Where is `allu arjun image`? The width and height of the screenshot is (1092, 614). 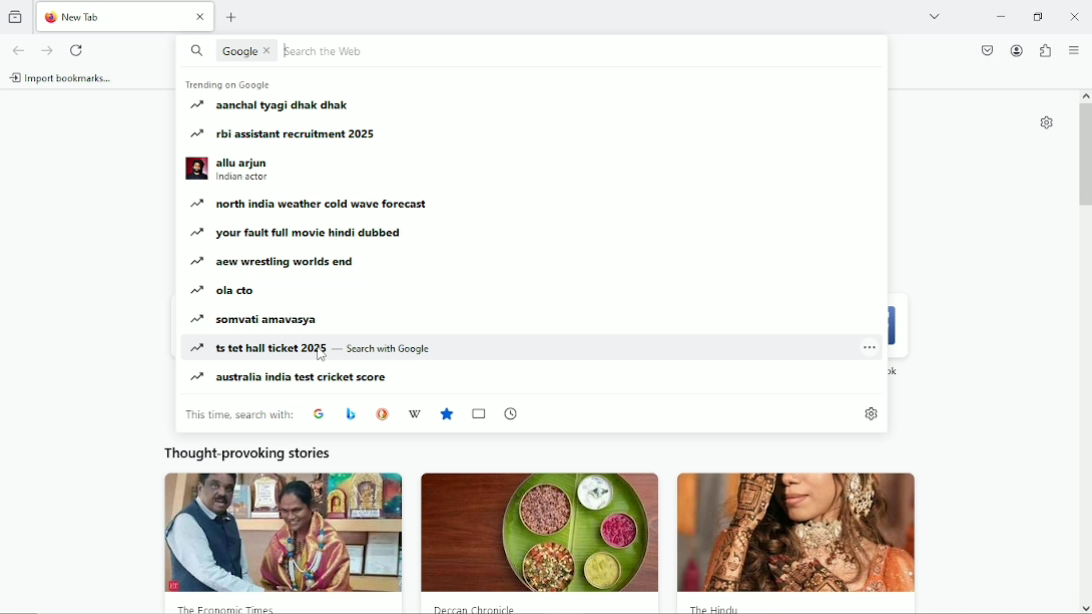
allu arjun image is located at coordinates (196, 169).